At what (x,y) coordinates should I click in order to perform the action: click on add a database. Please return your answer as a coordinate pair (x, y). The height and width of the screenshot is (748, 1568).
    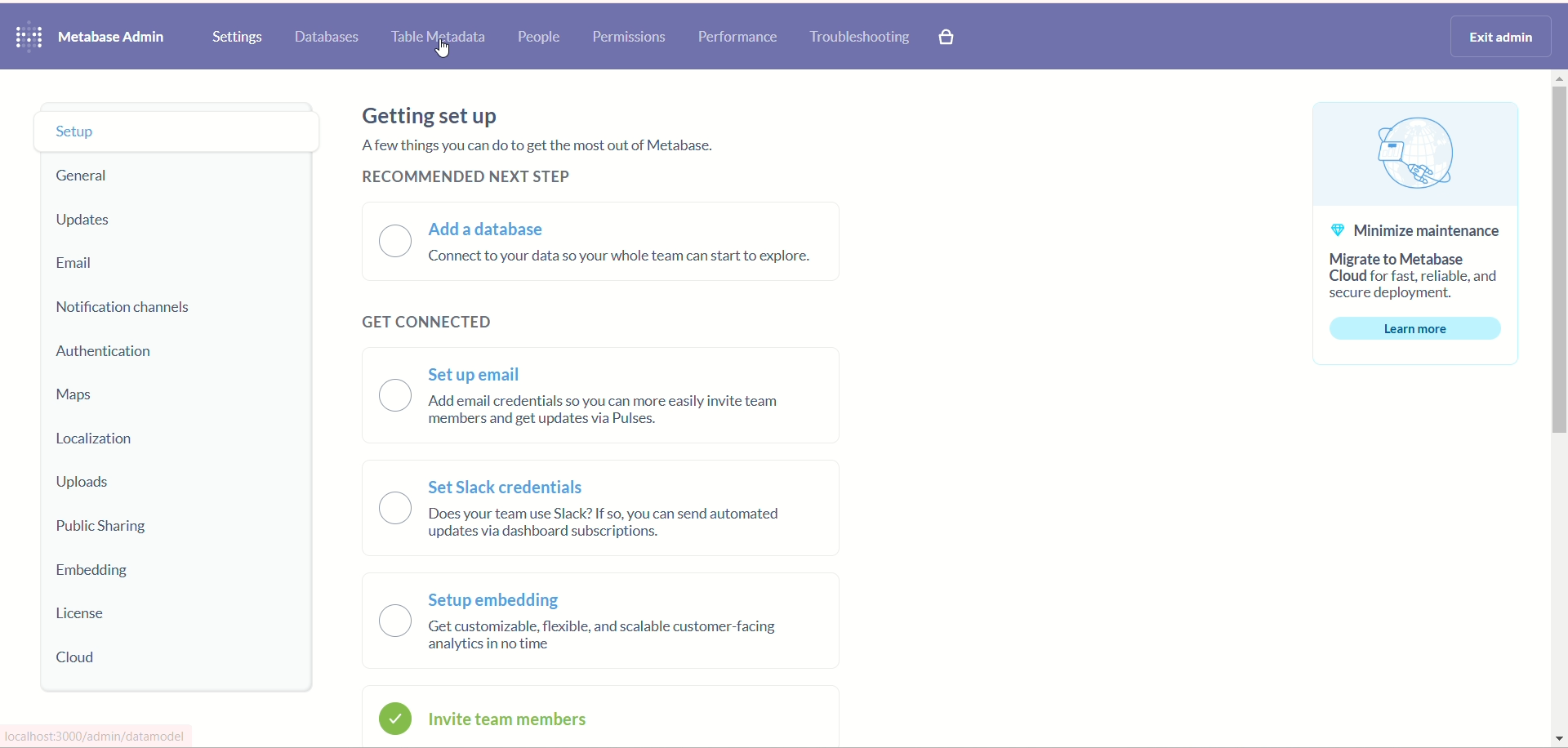
    Looking at the image, I should click on (497, 230).